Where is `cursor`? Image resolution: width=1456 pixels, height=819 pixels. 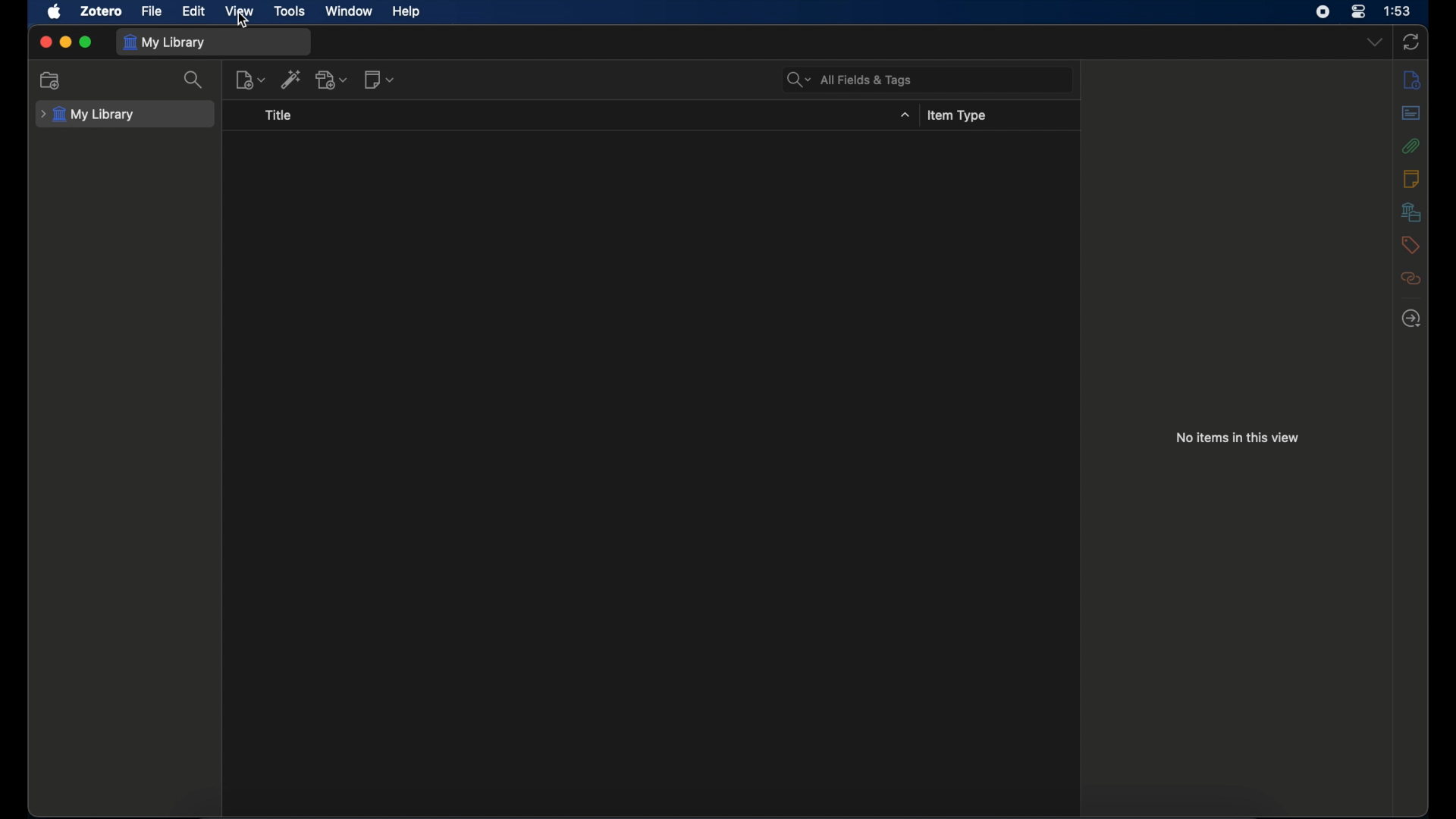 cursor is located at coordinates (245, 21).